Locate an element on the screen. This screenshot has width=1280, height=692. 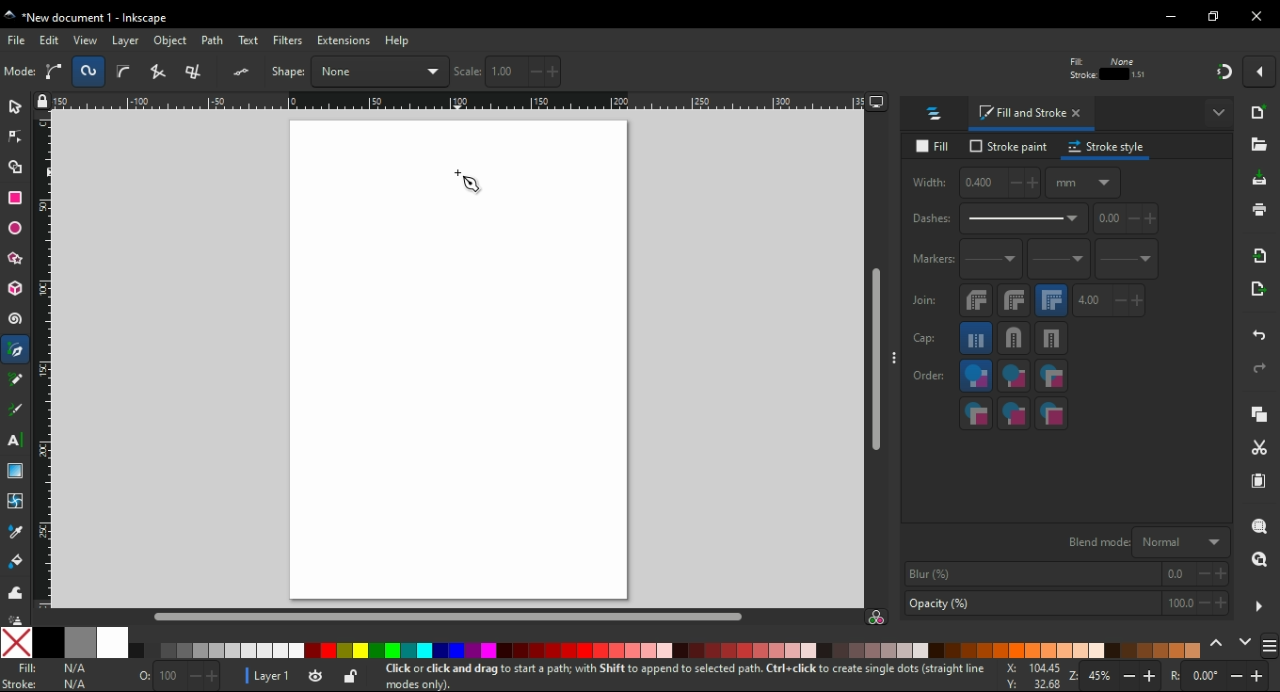
dropper tool is located at coordinates (17, 532).